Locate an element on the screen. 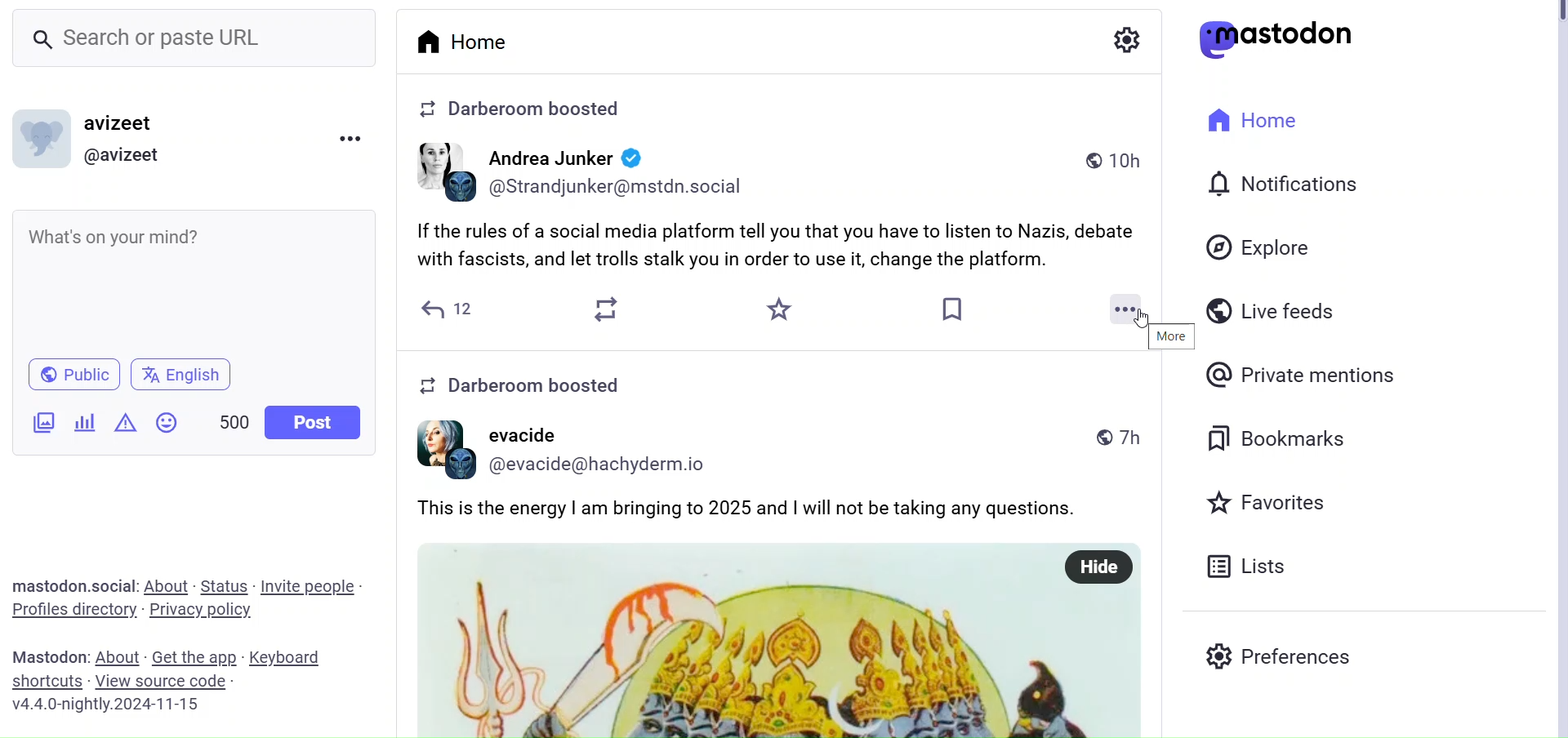 This screenshot has height=738, width=1568. Emojis is located at coordinates (168, 420).